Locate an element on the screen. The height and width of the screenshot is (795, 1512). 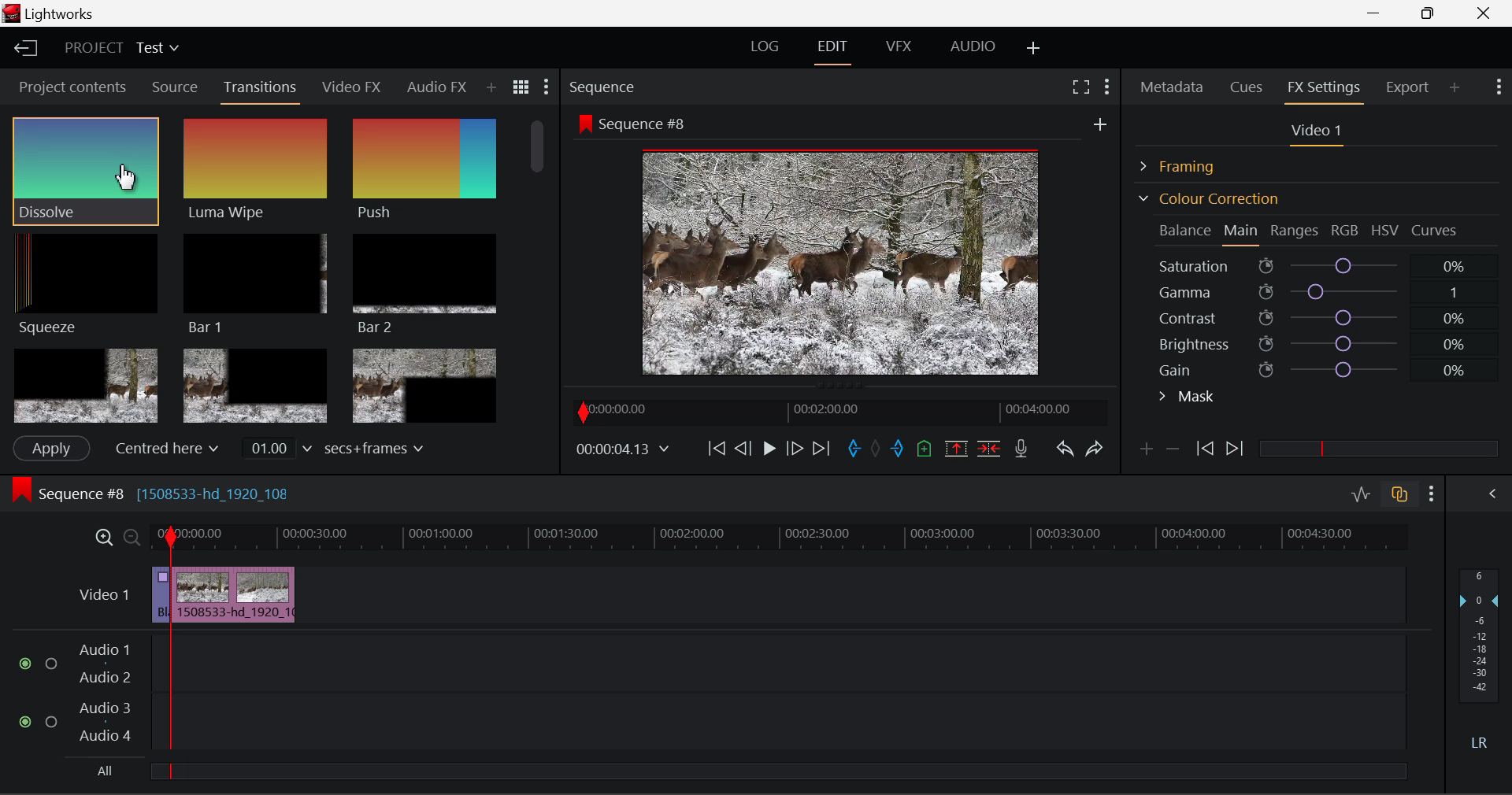
Ranges is located at coordinates (1295, 232).